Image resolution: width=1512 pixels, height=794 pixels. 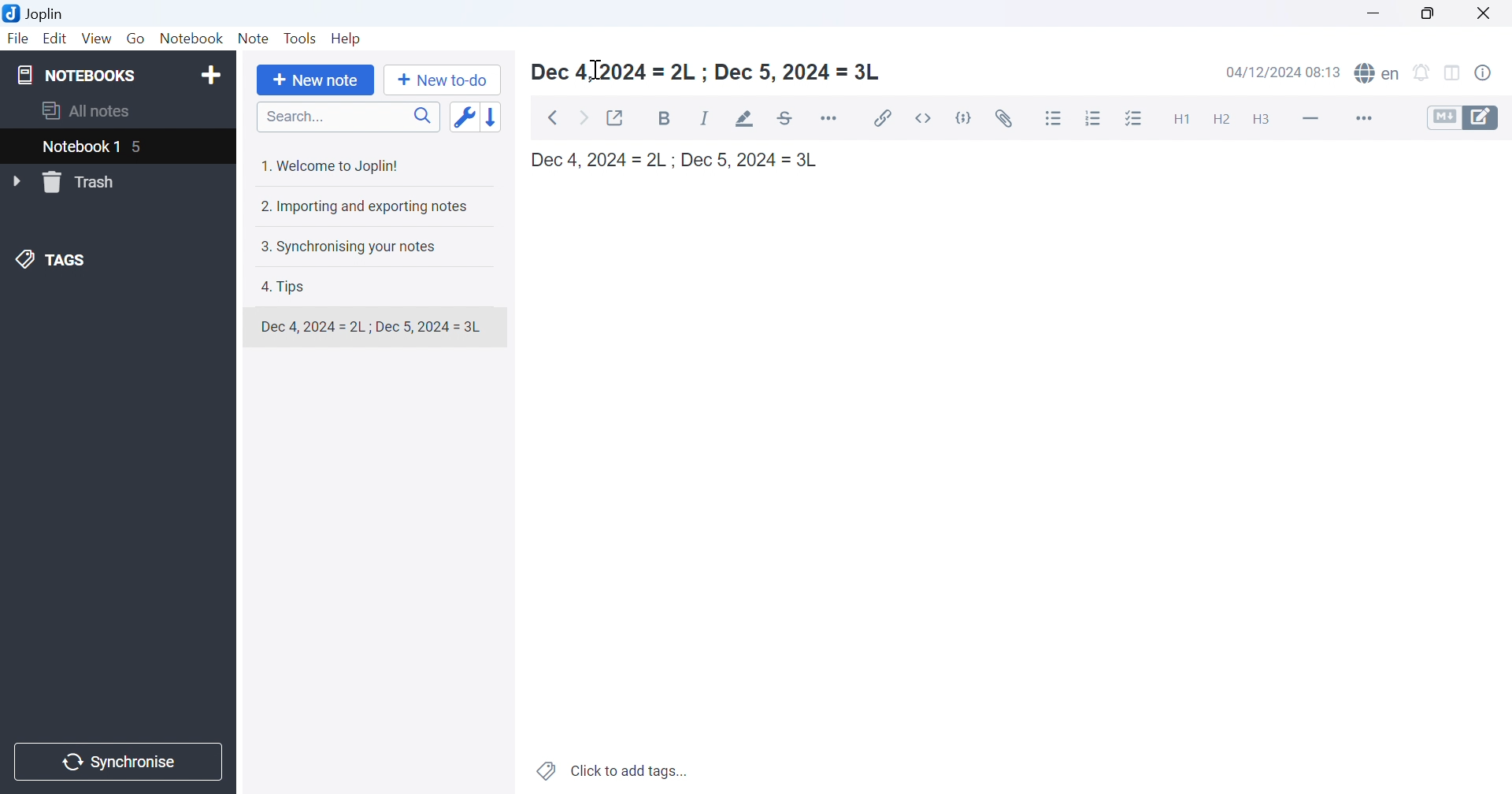 What do you see at coordinates (56, 39) in the screenshot?
I see `Edit` at bounding box center [56, 39].